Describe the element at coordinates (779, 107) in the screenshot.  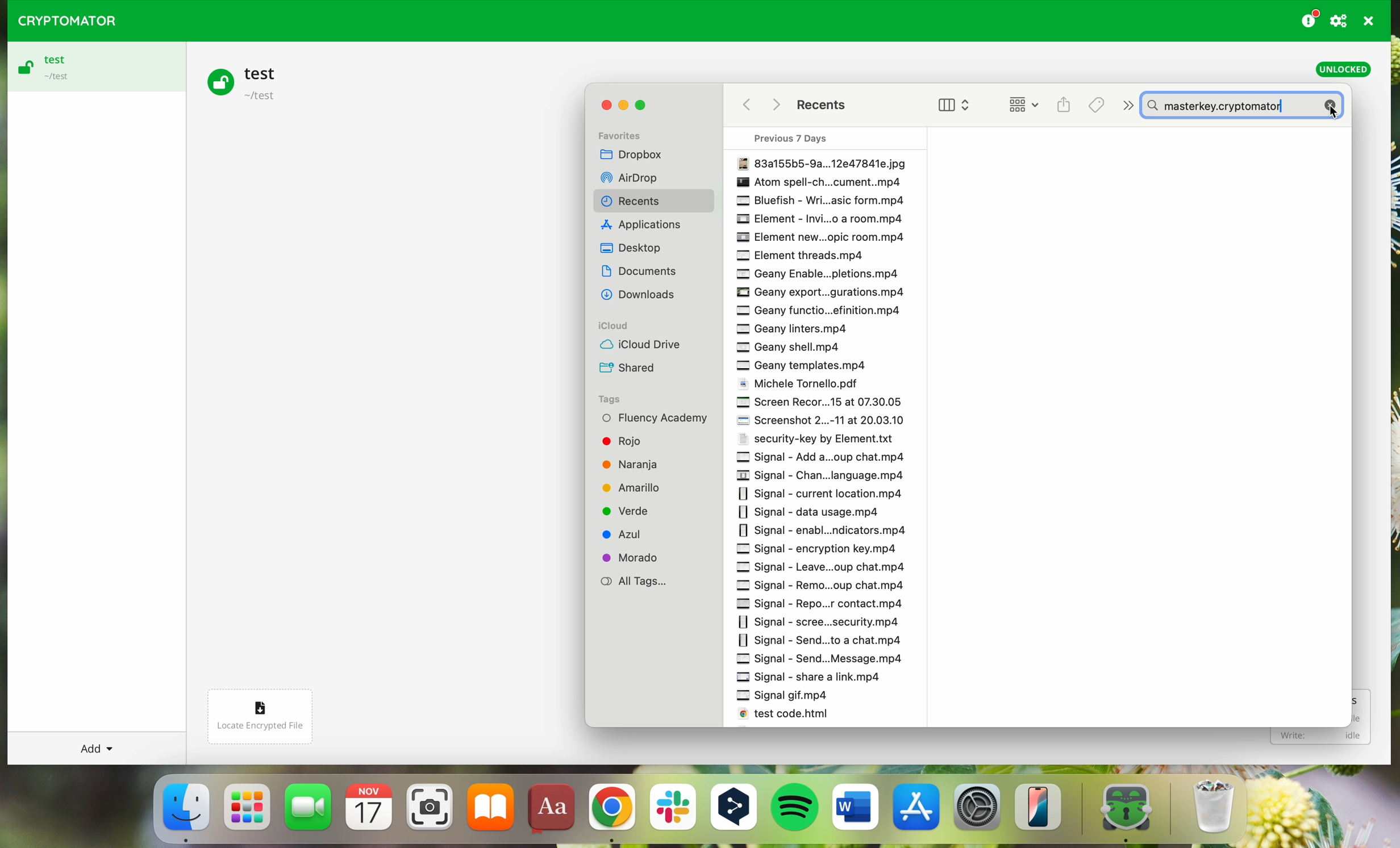
I see `` at that location.